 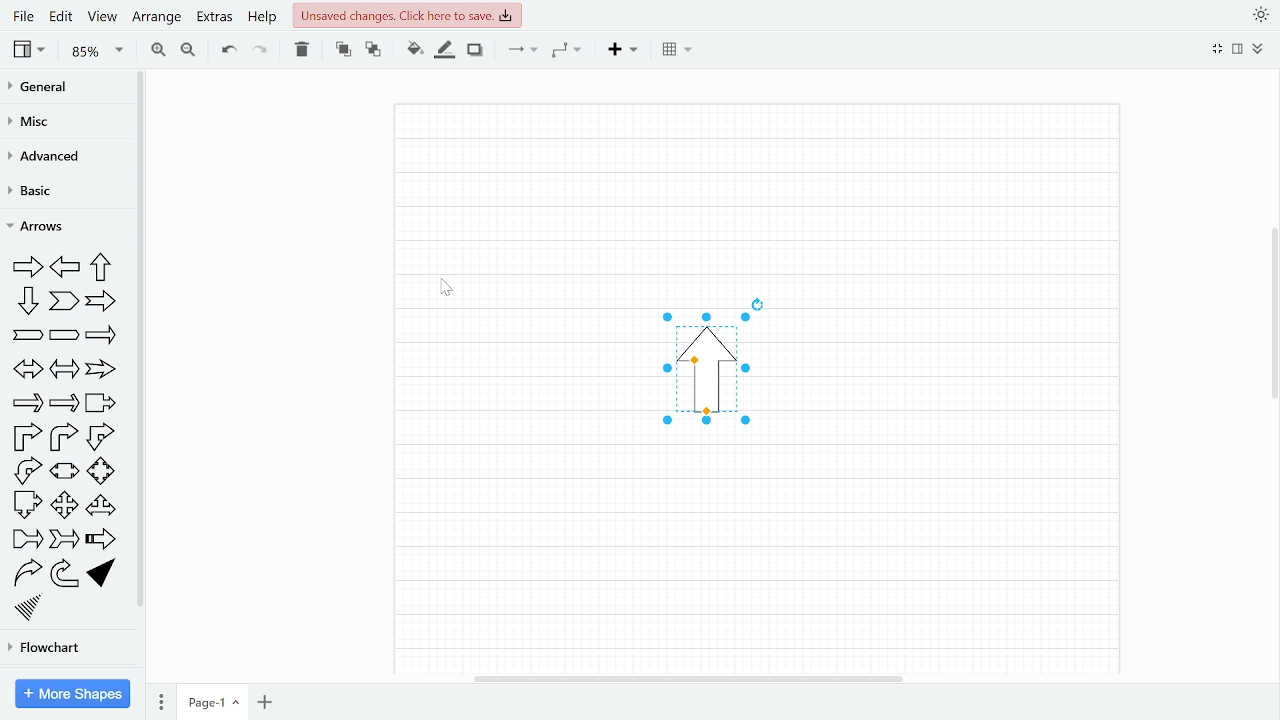 What do you see at coordinates (448, 288) in the screenshot?
I see `Pointer` at bounding box center [448, 288].